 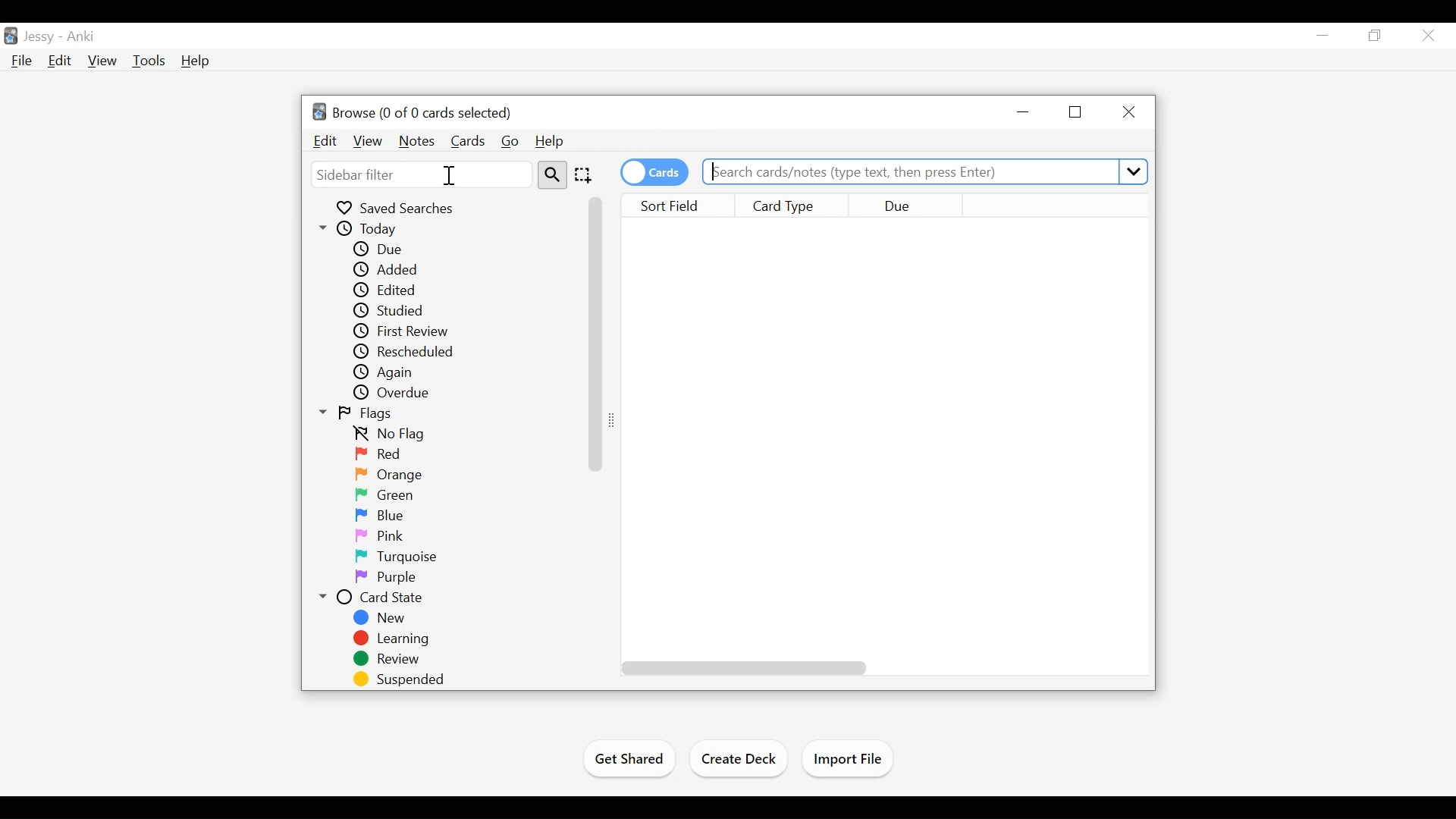 What do you see at coordinates (392, 639) in the screenshot?
I see `Learning` at bounding box center [392, 639].